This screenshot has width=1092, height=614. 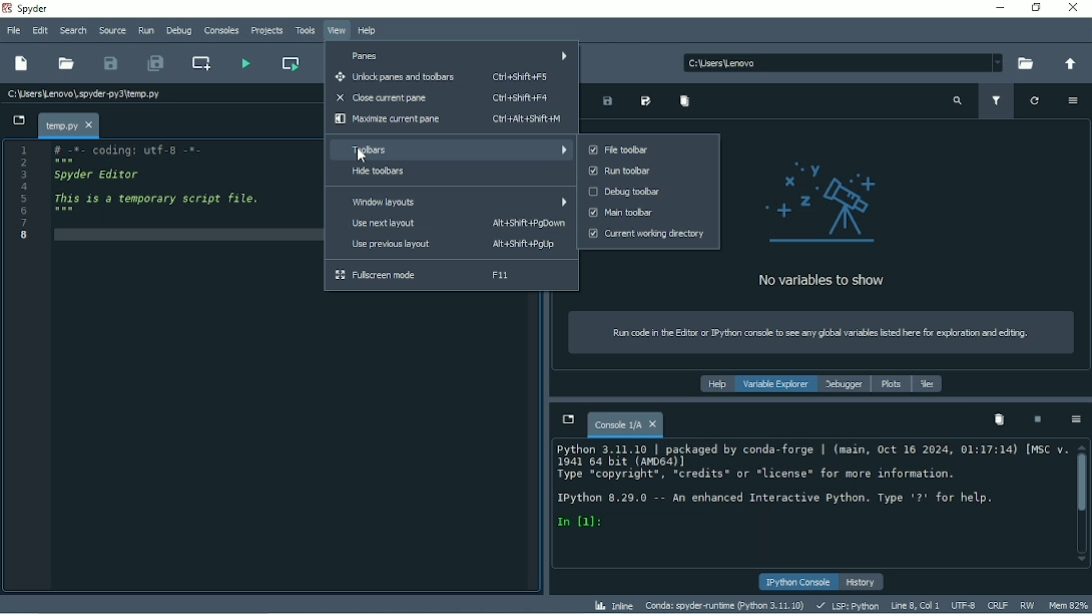 What do you see at coordinates (798, 583) in the screenshot?
I see `IPython console` at bounding box center [798, 583].